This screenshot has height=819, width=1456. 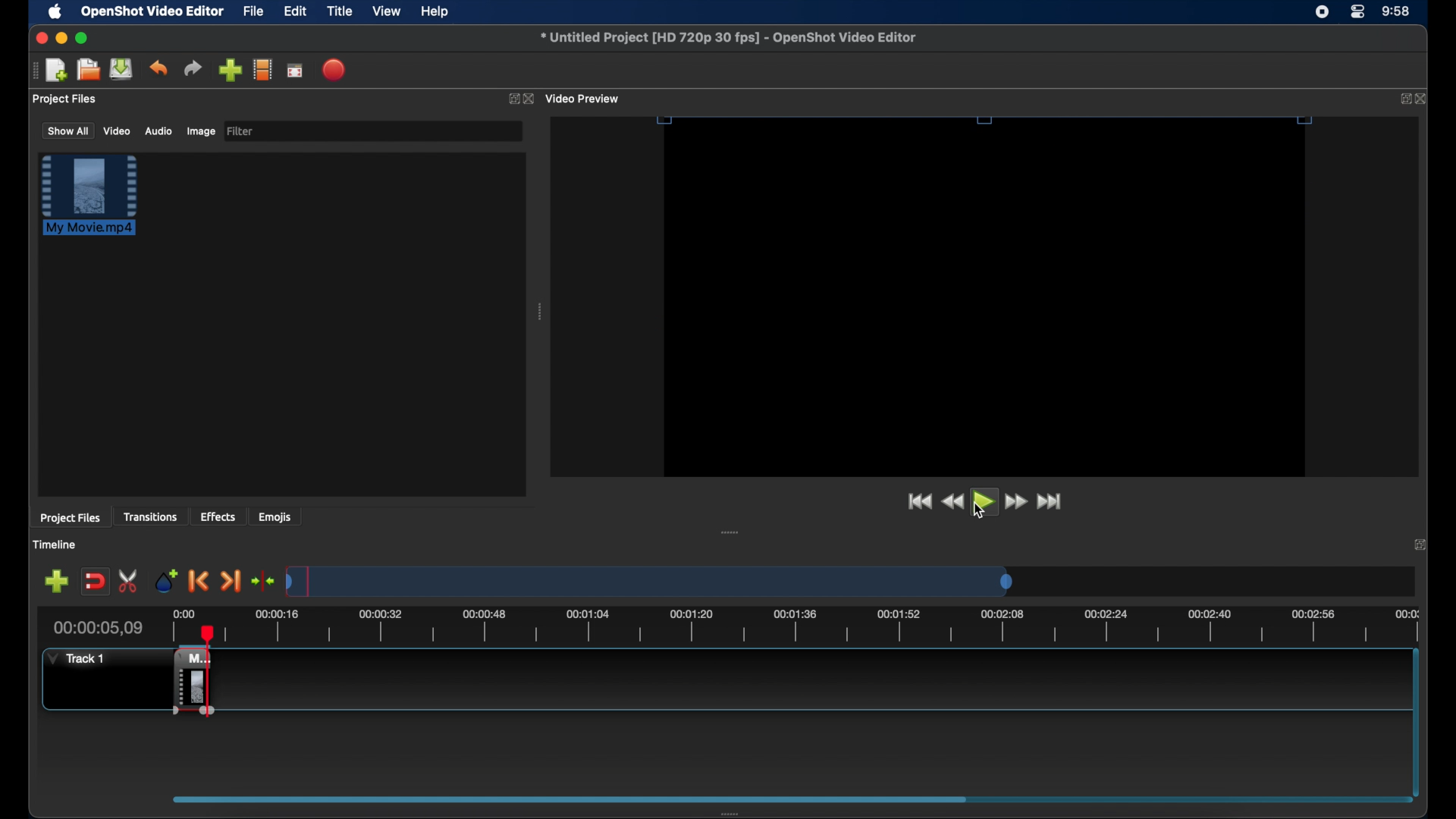 I want to click on close, so click(x=39, y=38).